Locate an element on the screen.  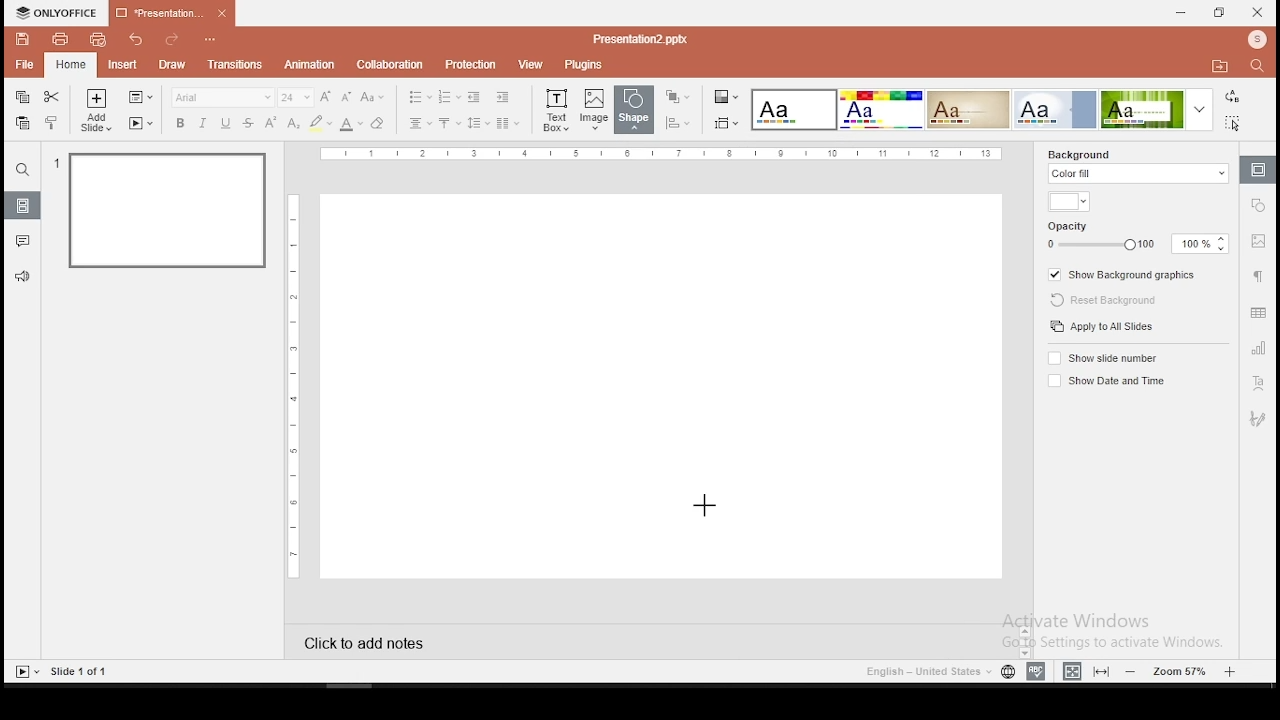
background fill is located at coordinates (1139, 168).